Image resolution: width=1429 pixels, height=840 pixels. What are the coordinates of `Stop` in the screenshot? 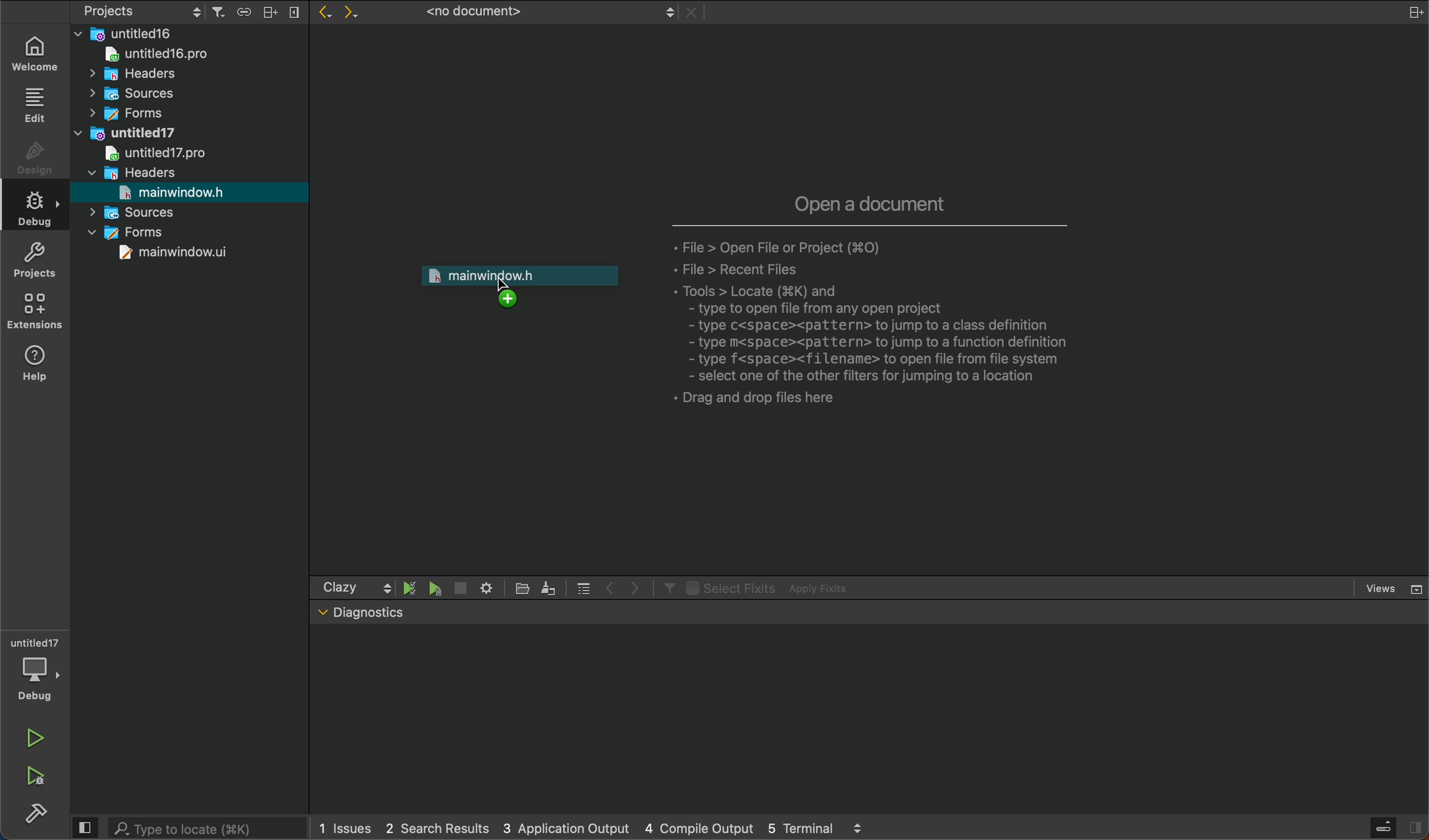 It's located at (459, 588).